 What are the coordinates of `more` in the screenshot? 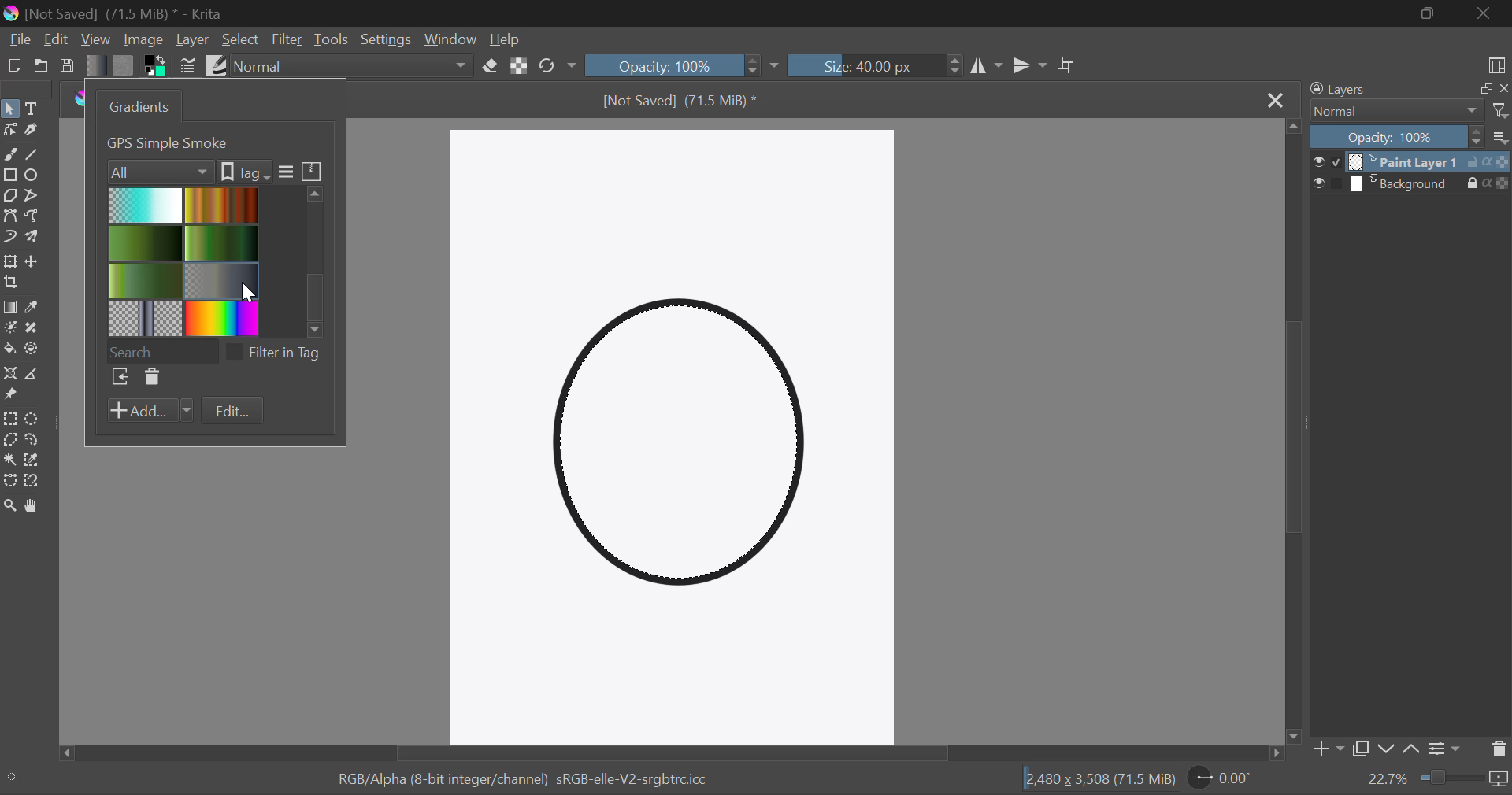 It's located at (1500, 138).